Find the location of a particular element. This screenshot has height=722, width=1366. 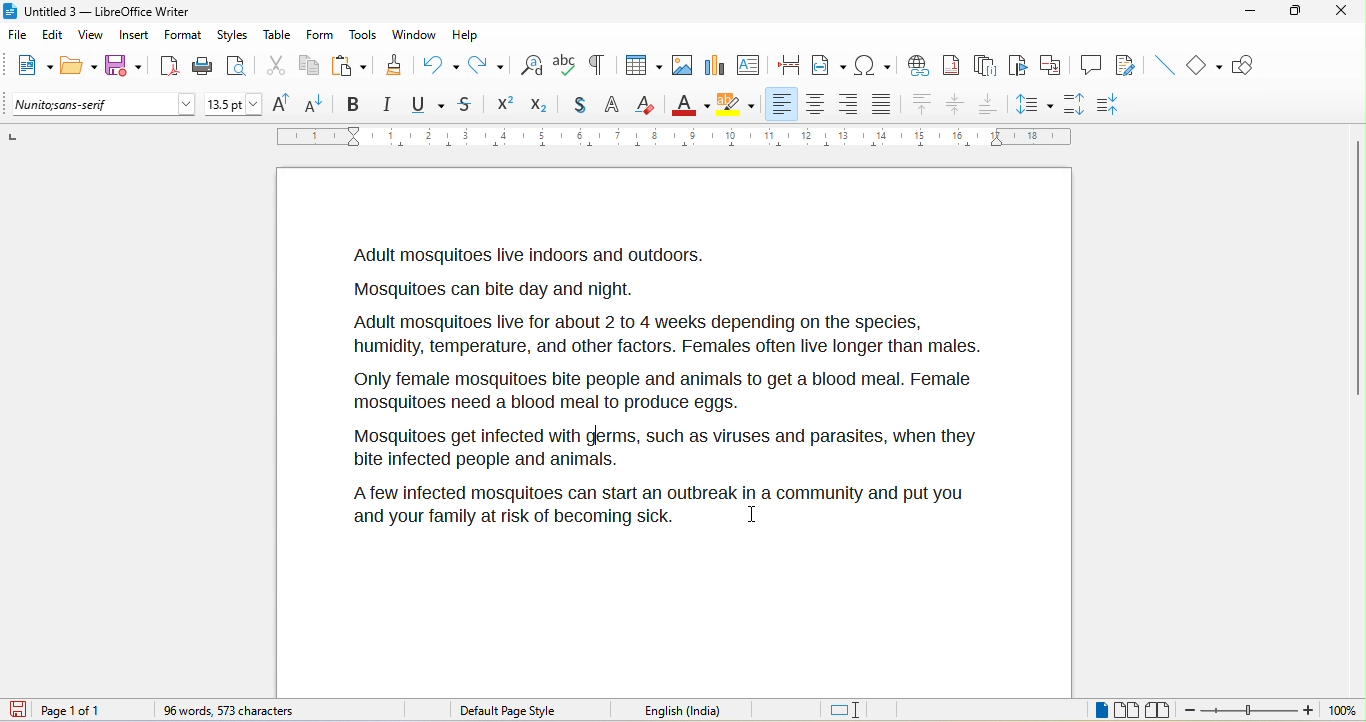

increase size is located at coordinates (285, 104).